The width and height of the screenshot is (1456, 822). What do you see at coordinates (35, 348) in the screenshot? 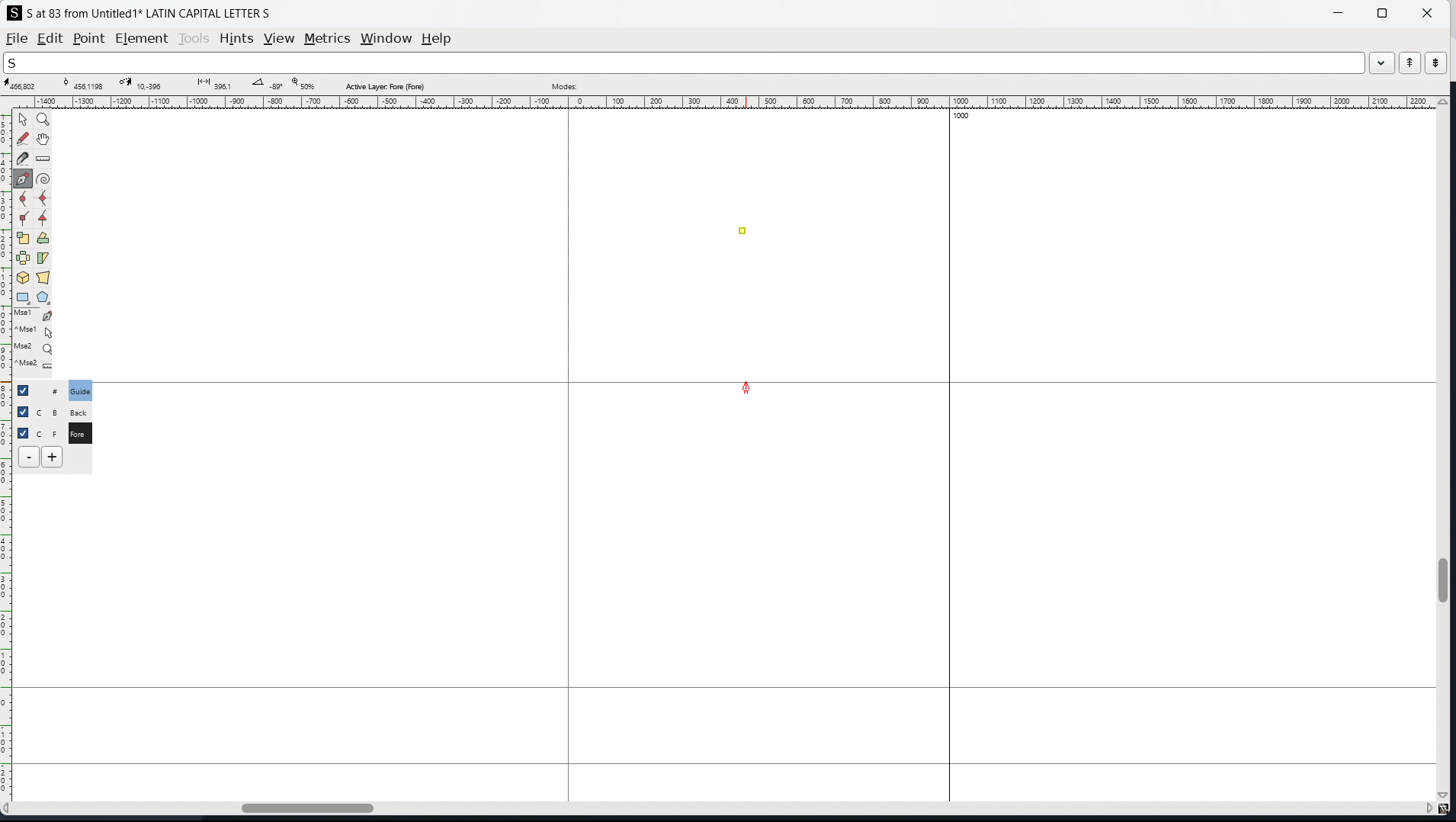
I see `Mse2` at bounding box center [35, 348].